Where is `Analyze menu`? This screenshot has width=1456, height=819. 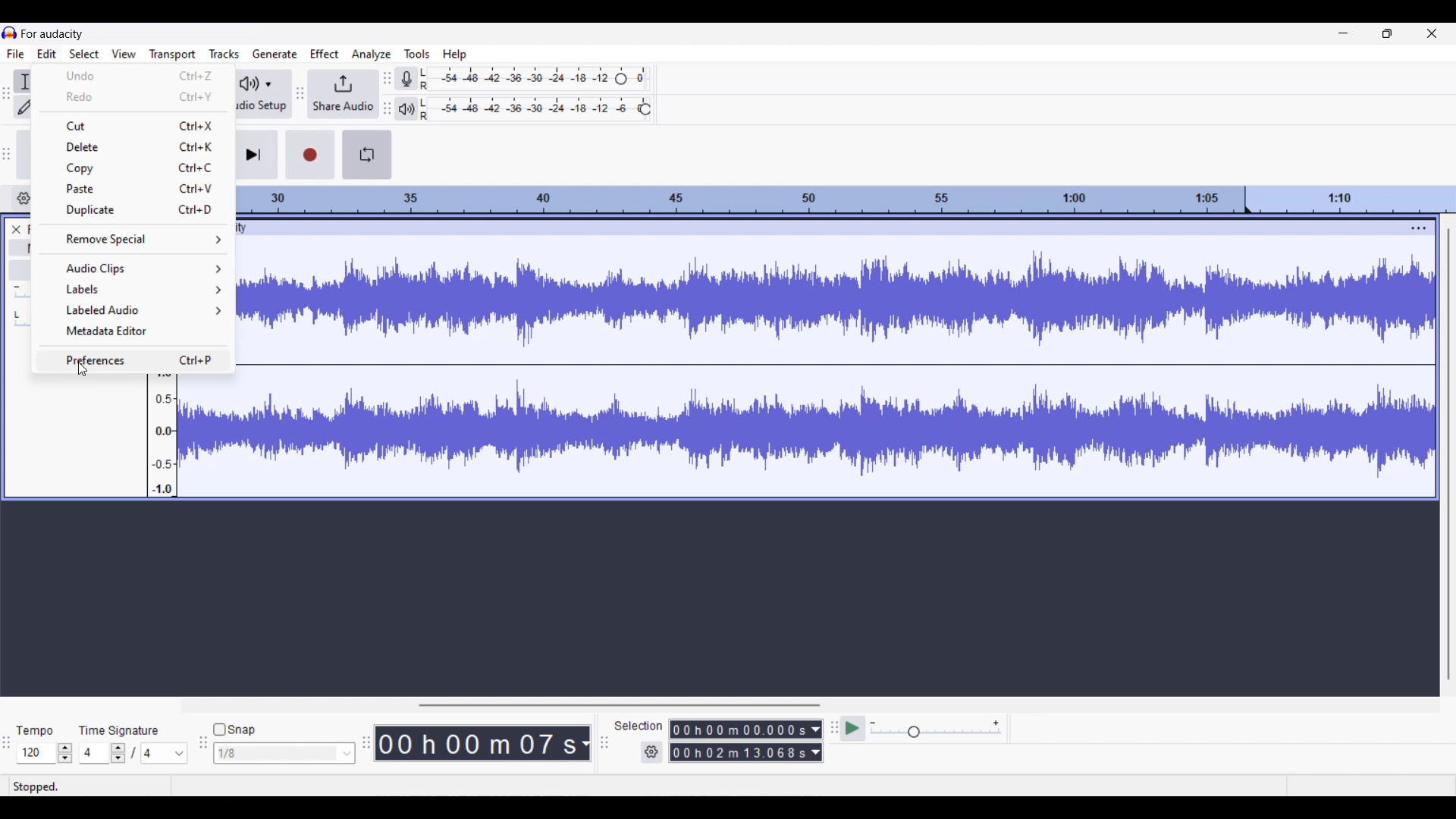
Analyze menu is located at coordinates (372, 55).